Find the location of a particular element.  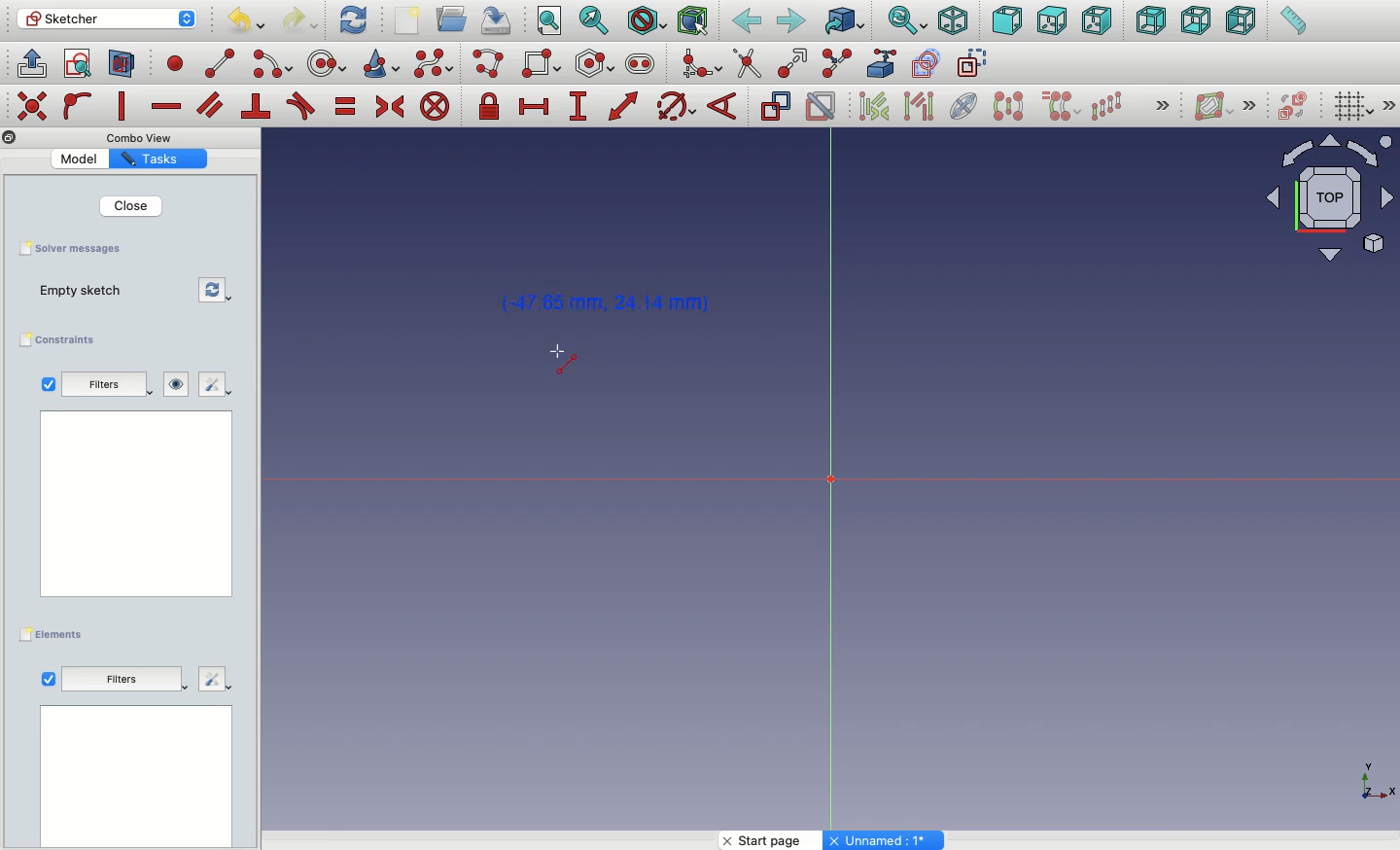

Data is located at coordinates (135, 775).